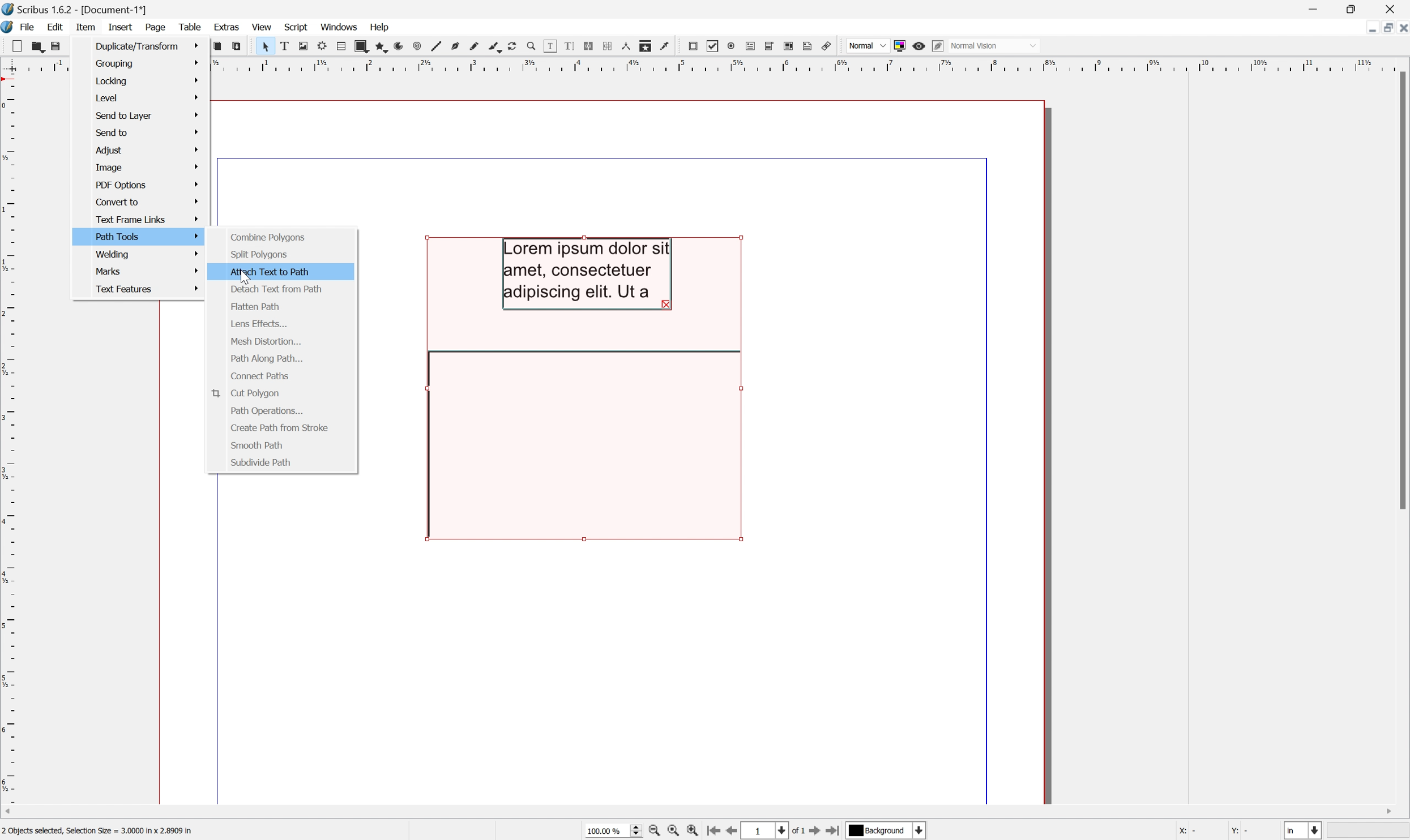 The height and width of the screenshot is (840, 1410). What do you see at coordinates (227, 28) in the screenshot?
I see `Extras` at bounding box center [227, 28].